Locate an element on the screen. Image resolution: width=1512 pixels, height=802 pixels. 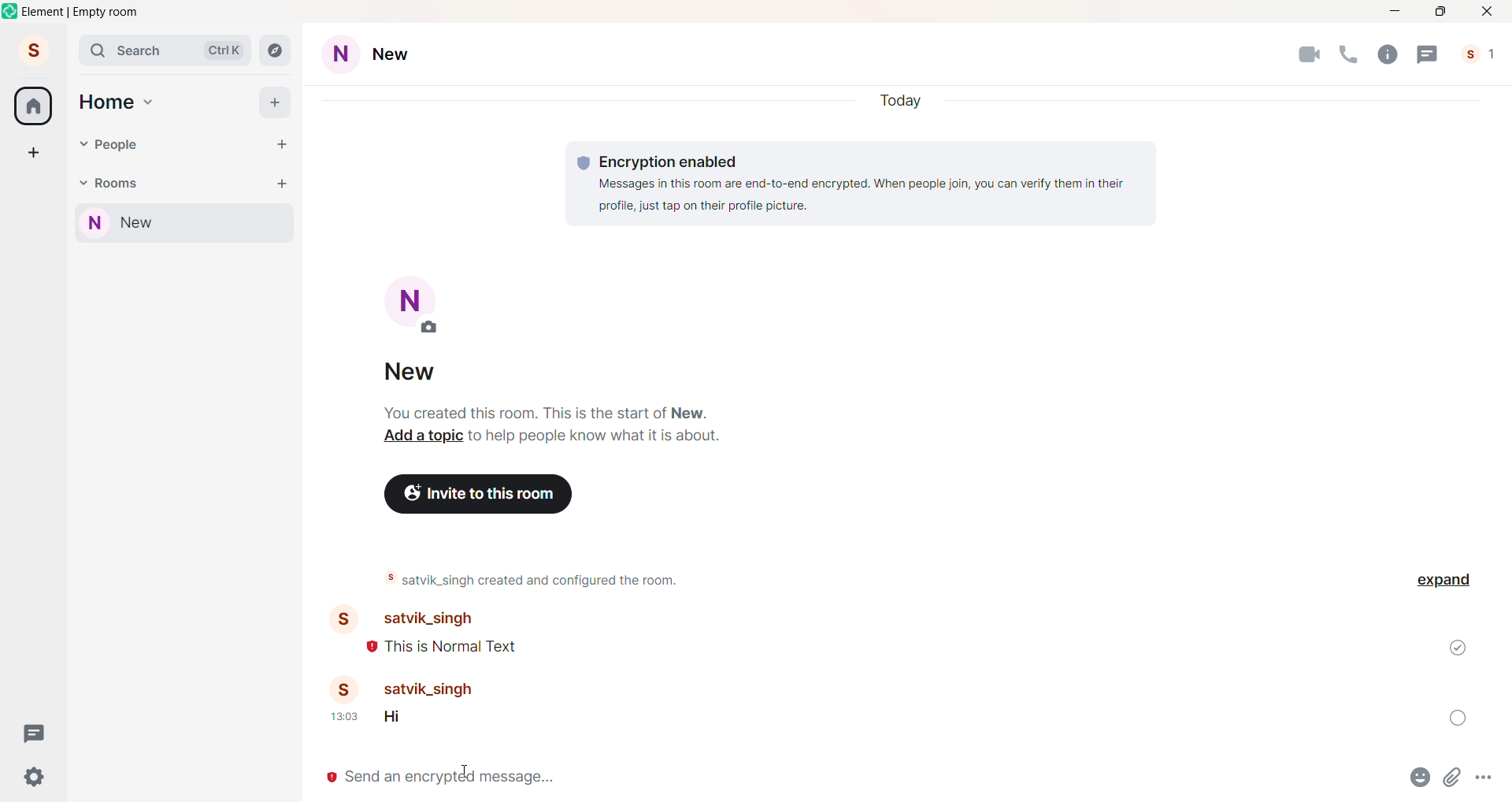
Encryption enabled Messages in this room are end-to-end encrypted. When people join, you can verify them in their profile, just tap on their profile picture. is located at coordinates (862, 184).